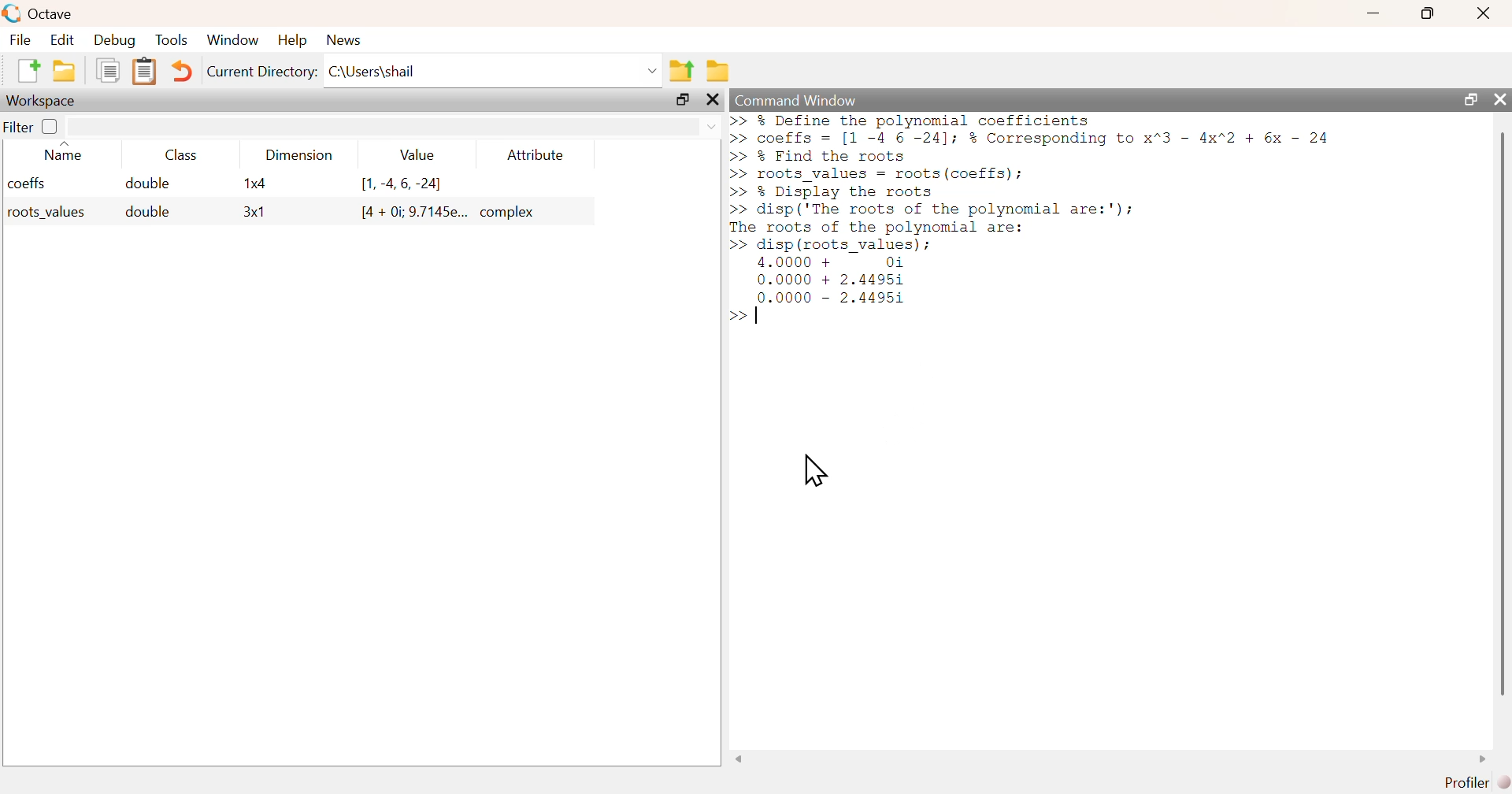 The height and width of the screenshot is (794, 1512). Describe the element at coordinates (176, 154) in the screenshot. I see `Class` at that location.